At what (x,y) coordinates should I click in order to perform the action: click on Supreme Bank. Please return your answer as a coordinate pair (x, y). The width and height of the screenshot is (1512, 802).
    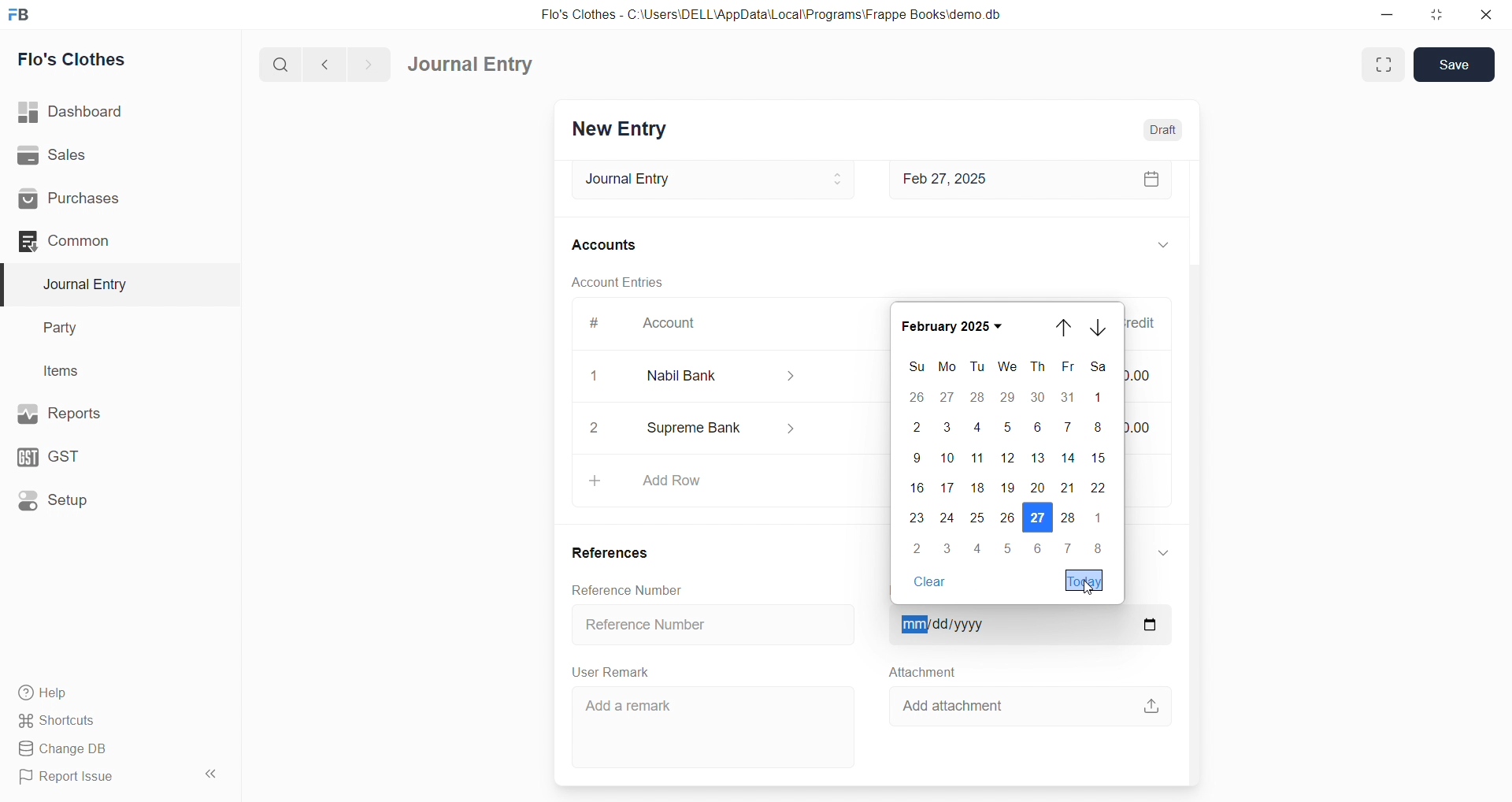
    Looking at the image, I should click on (726, 425).